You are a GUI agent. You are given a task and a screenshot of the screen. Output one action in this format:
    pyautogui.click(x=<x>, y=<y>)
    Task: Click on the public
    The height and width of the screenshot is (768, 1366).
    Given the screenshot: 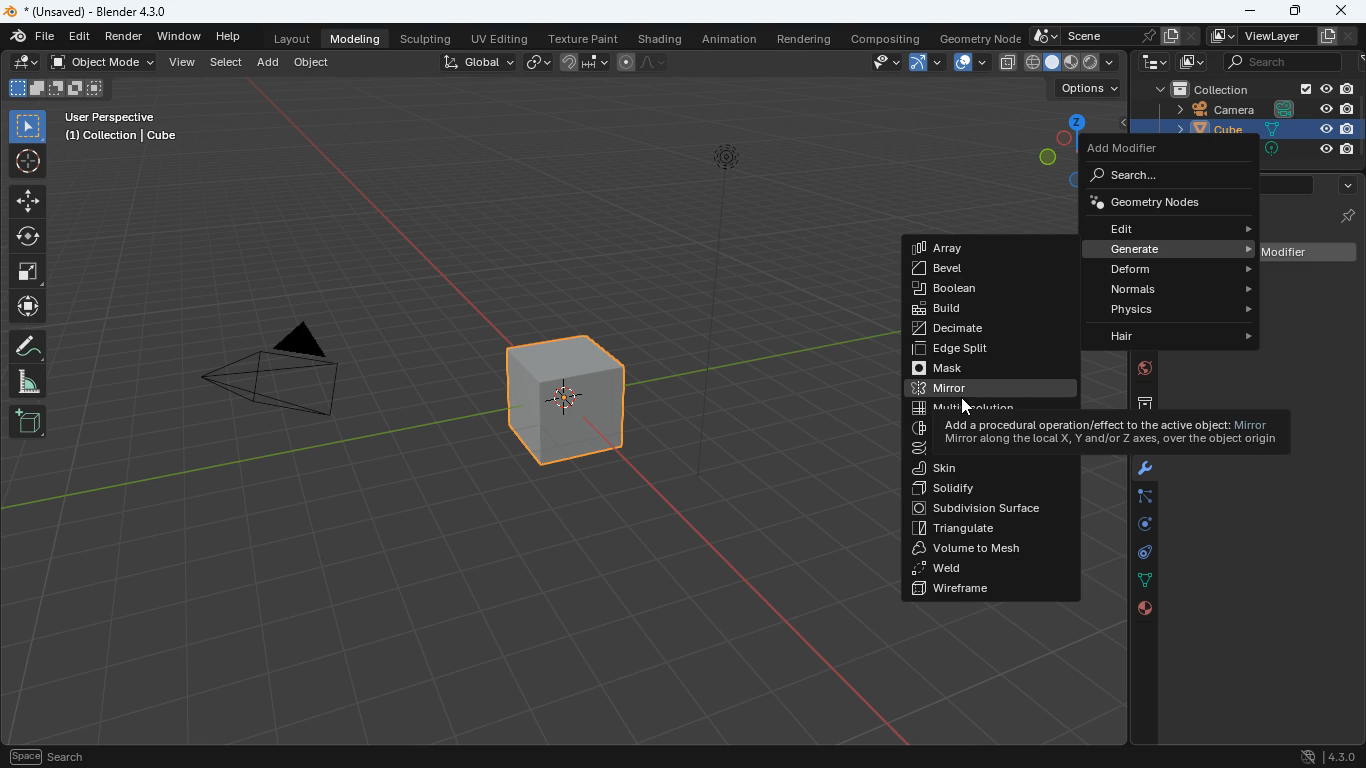 What is the action you would take?
    pyautogui.click(x=1138, y=370)
    